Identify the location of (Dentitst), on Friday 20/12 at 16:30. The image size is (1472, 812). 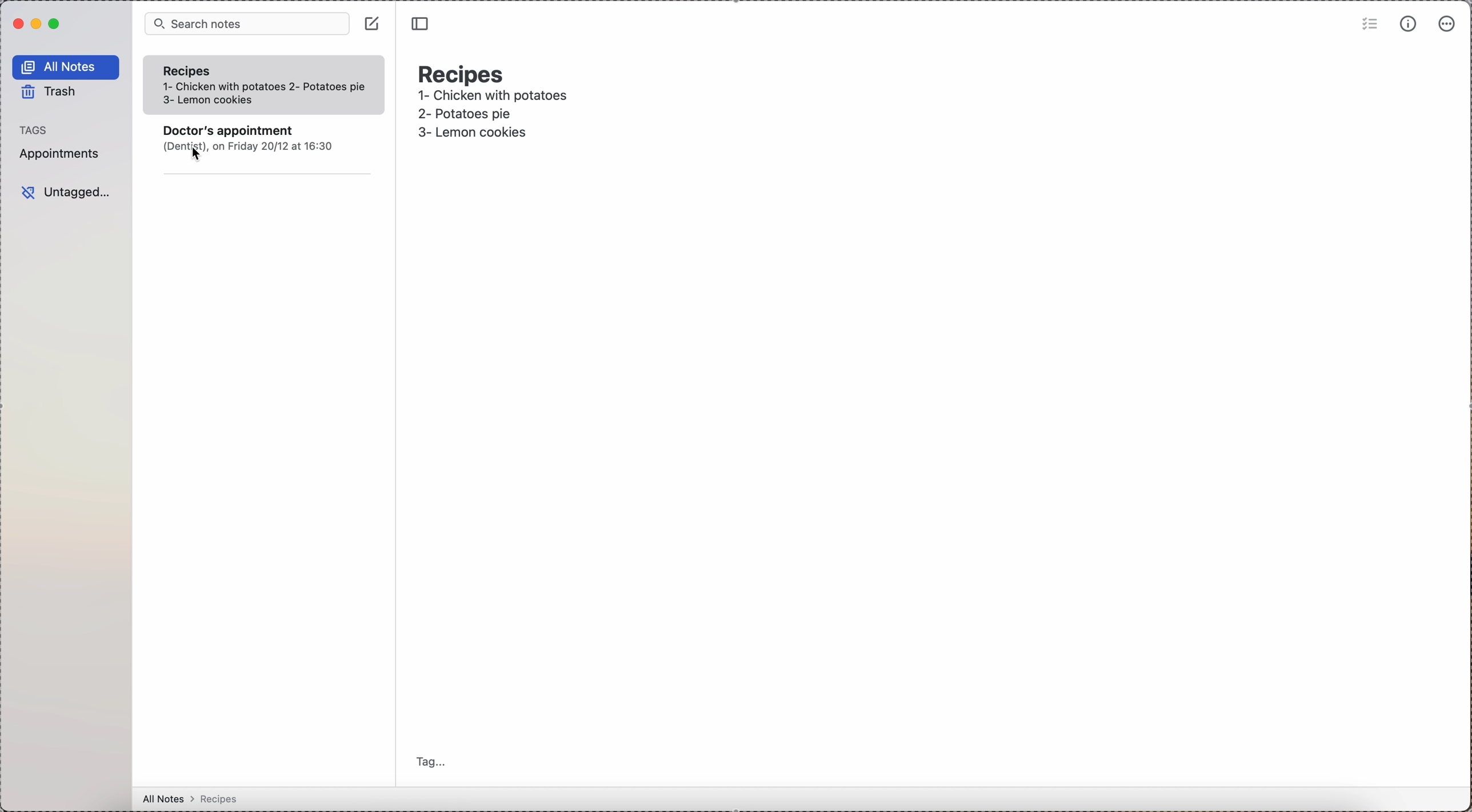
(256, 147).